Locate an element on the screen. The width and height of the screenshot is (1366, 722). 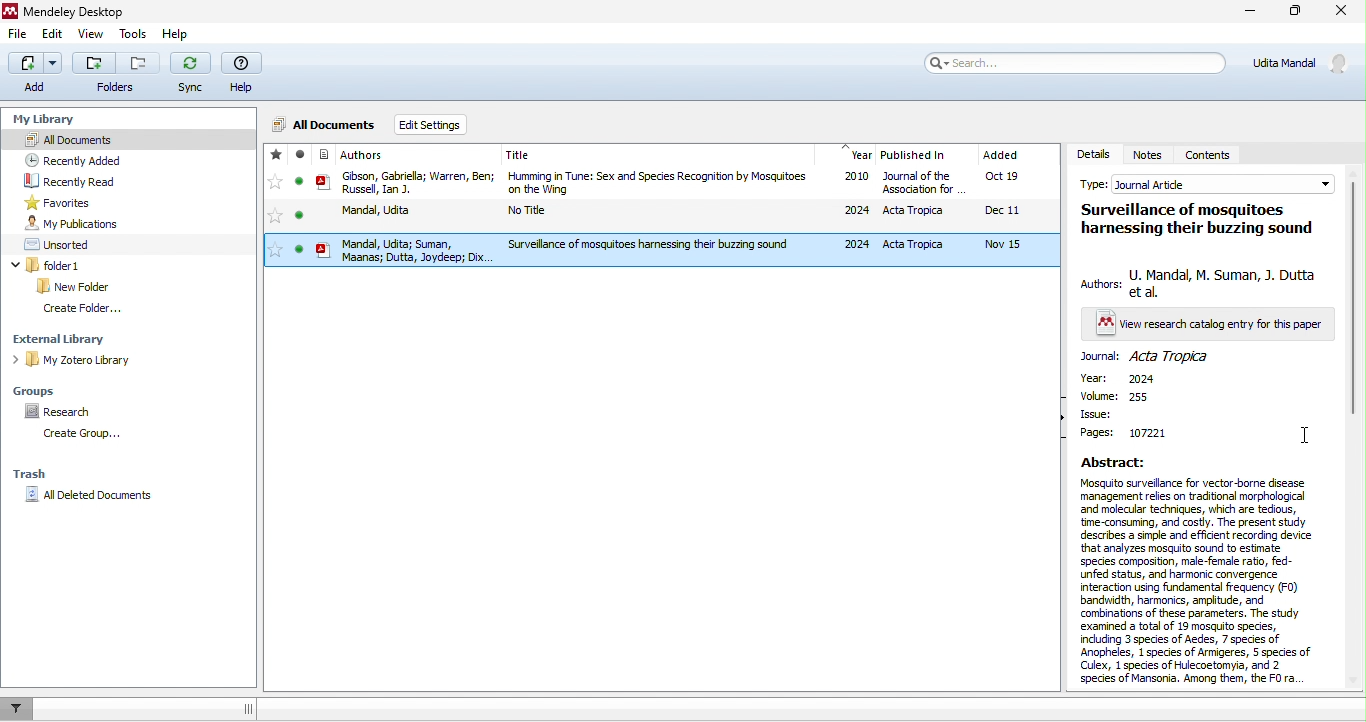
help is located at coordinates (245, 71).